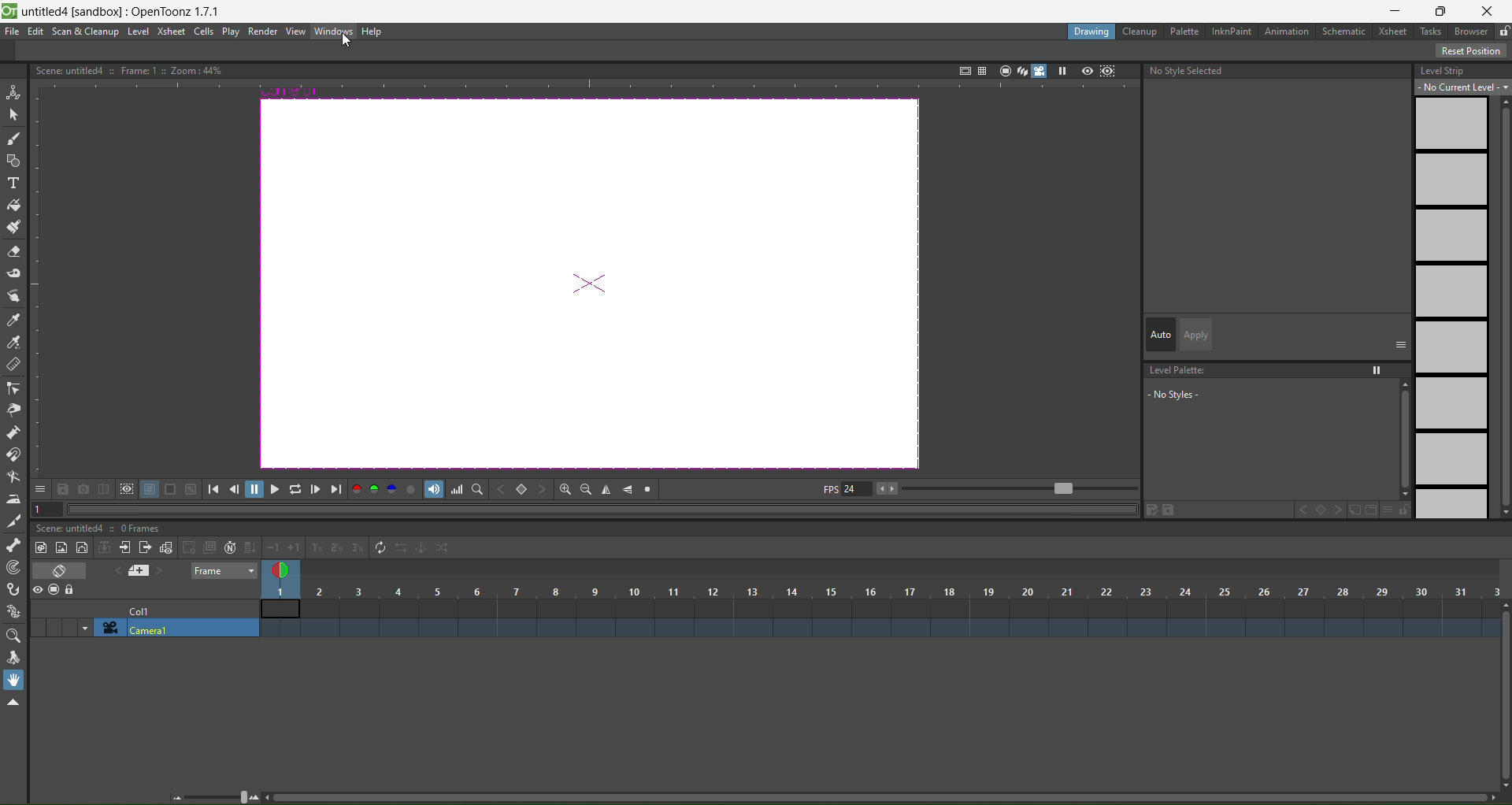 Image resolution: width=1512 pixels, height=805 pixels. What do you see at coordinates (565, 488) in the screenshot?
I see `zoomin` at bounding box center [565, 488].